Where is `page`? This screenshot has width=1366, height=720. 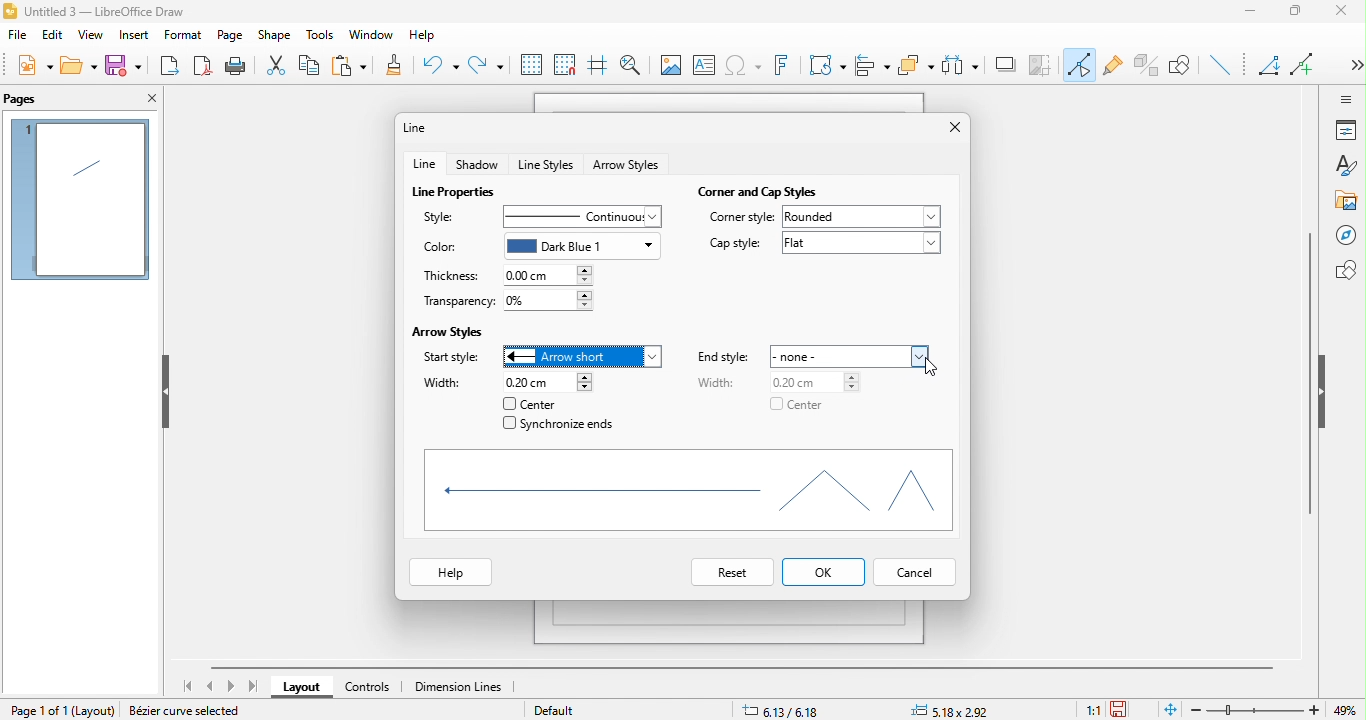
page is located at coordinates (230, 36).